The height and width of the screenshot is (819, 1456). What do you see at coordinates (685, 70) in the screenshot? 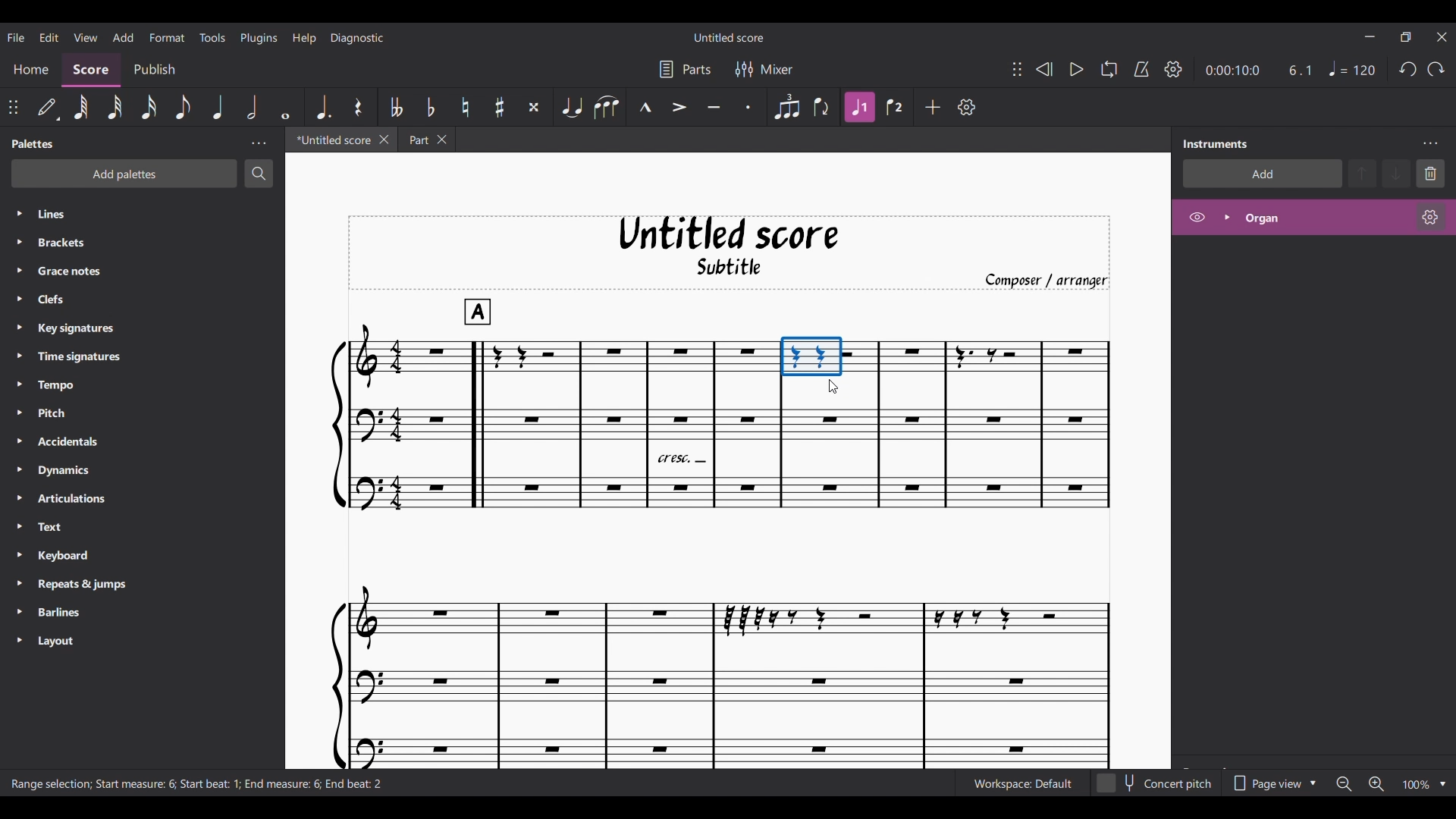
I see `Parts settings` at bounding box center [685, 70].